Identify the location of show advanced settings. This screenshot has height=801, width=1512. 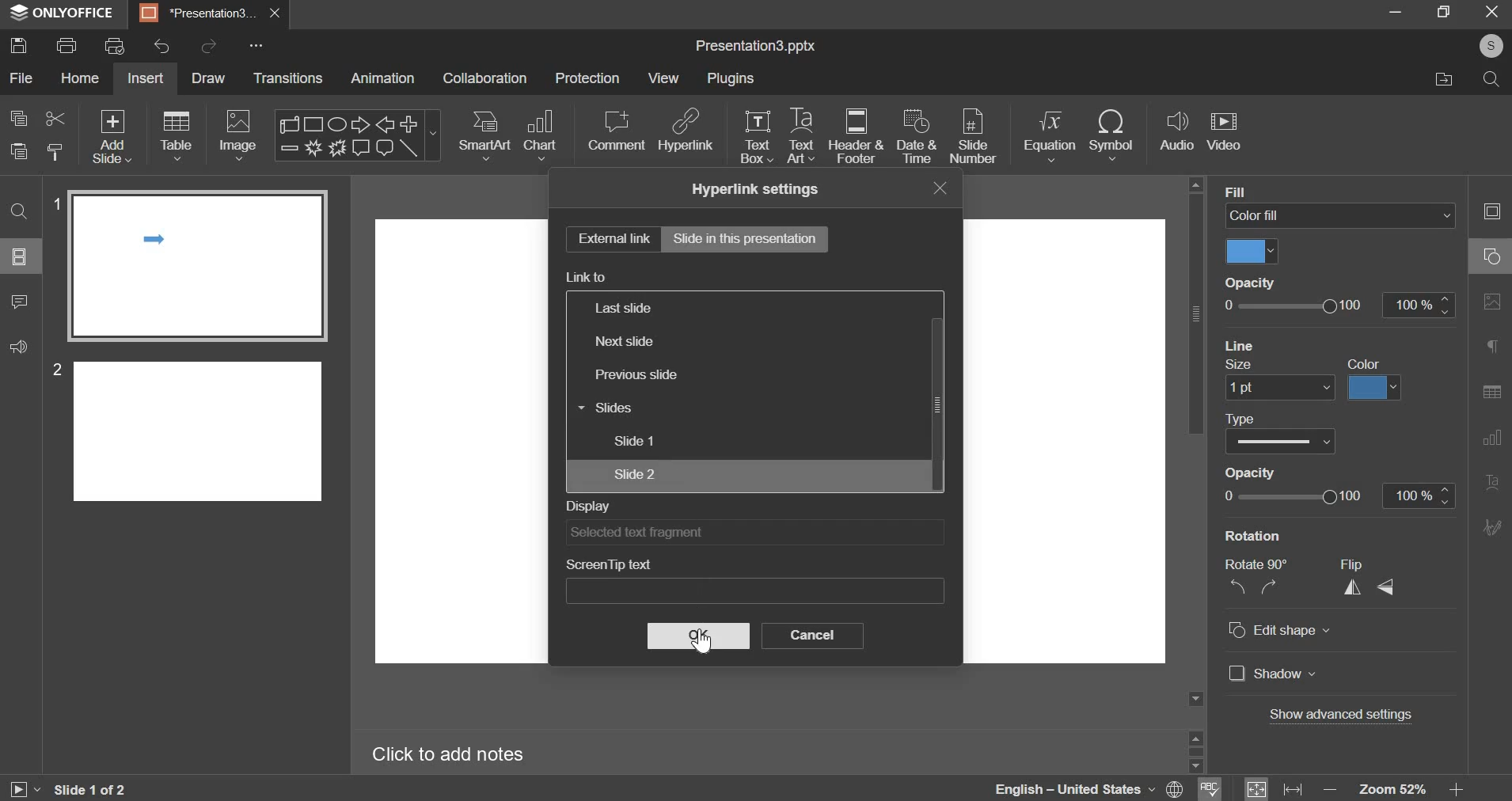
(1341, 714).